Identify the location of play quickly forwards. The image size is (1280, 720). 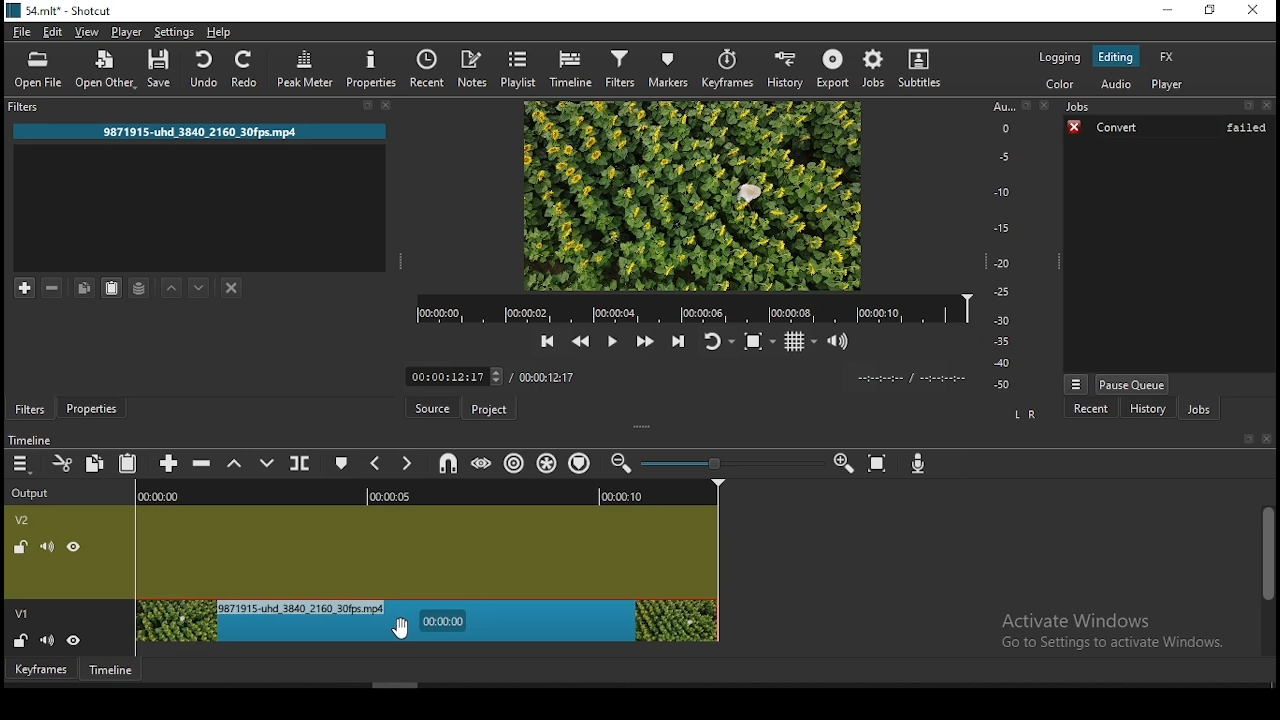
(643, 343).